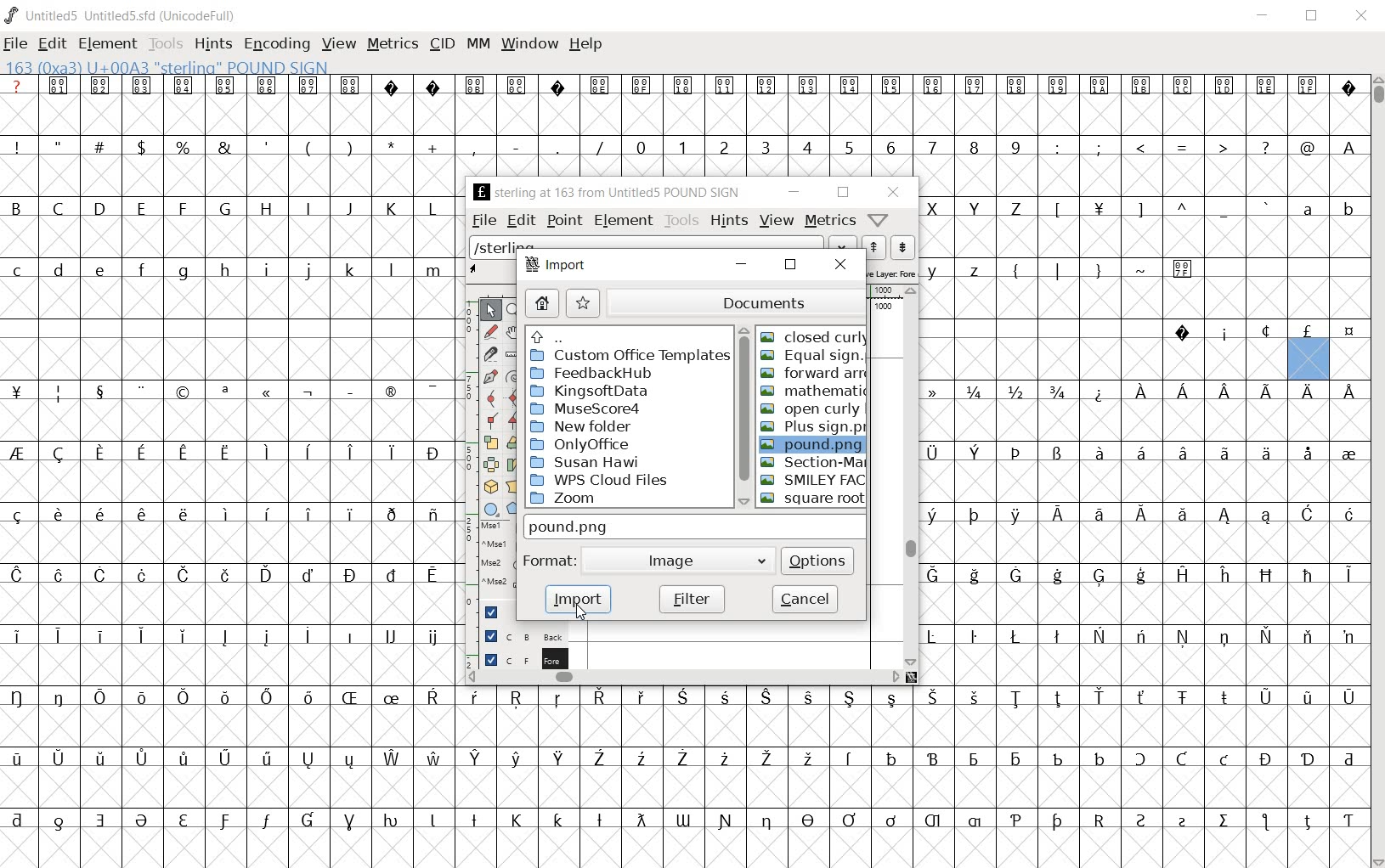 The image size is (1385, 868). Describe the element at coordinates (1264, 208) in the screenshot. I see ``` at that location.